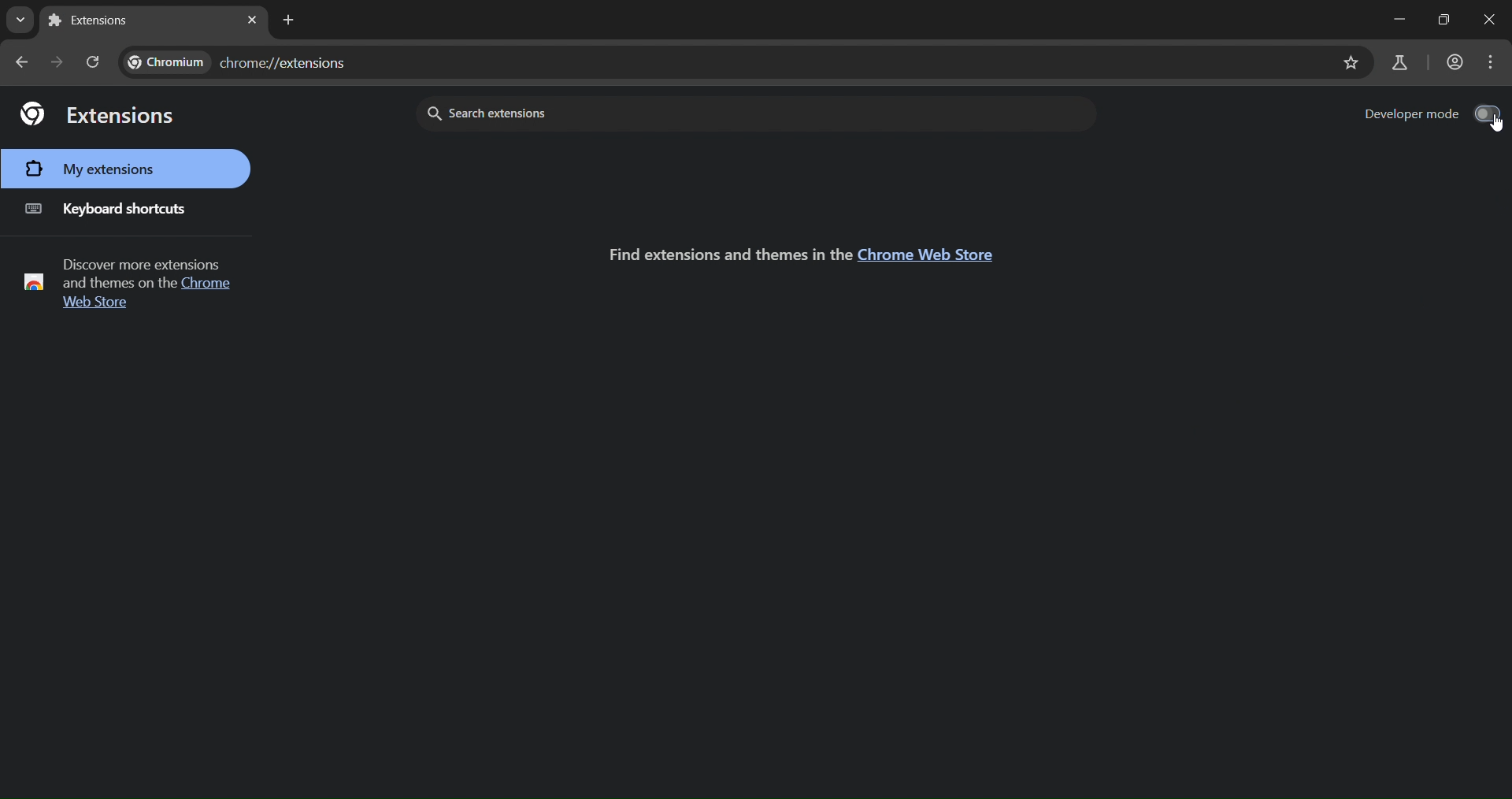 The width and height of the screenshot is (1512, 799). What do you see at coordinates (110, 209) in the screenshot?
I see `keyboard shortcuts` at bounding box center [110, 209].